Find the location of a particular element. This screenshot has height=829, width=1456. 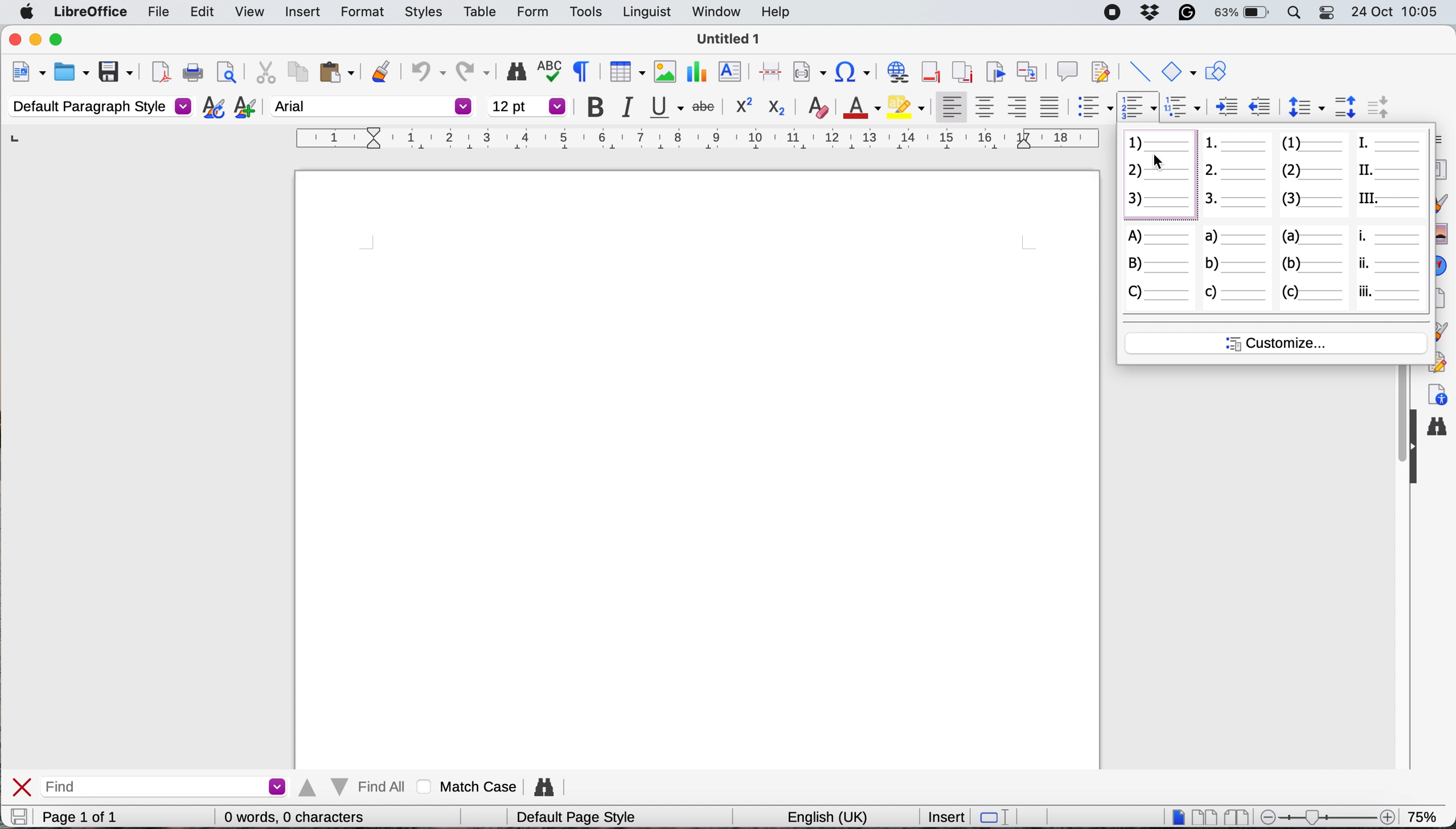

default paragraph style is located at coordinates (100, 106).